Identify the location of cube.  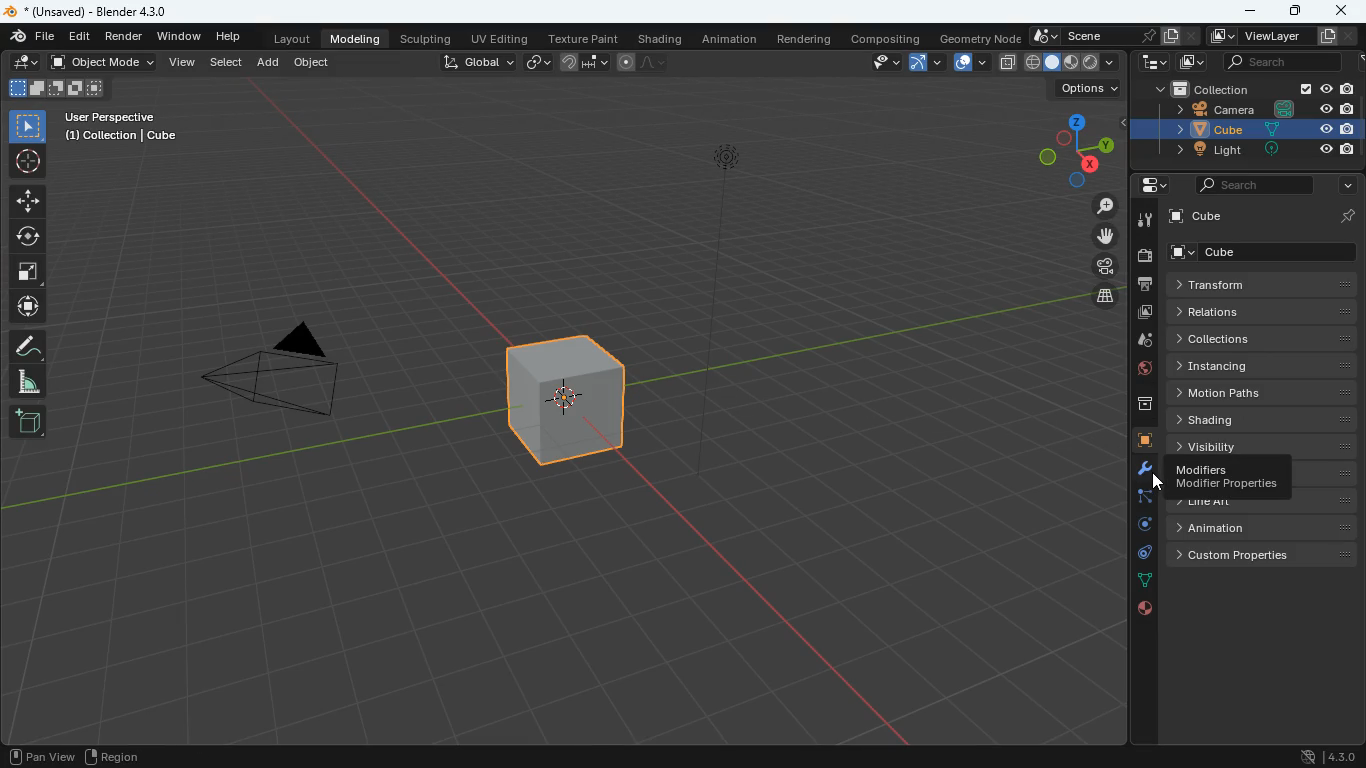
(1259, 214).